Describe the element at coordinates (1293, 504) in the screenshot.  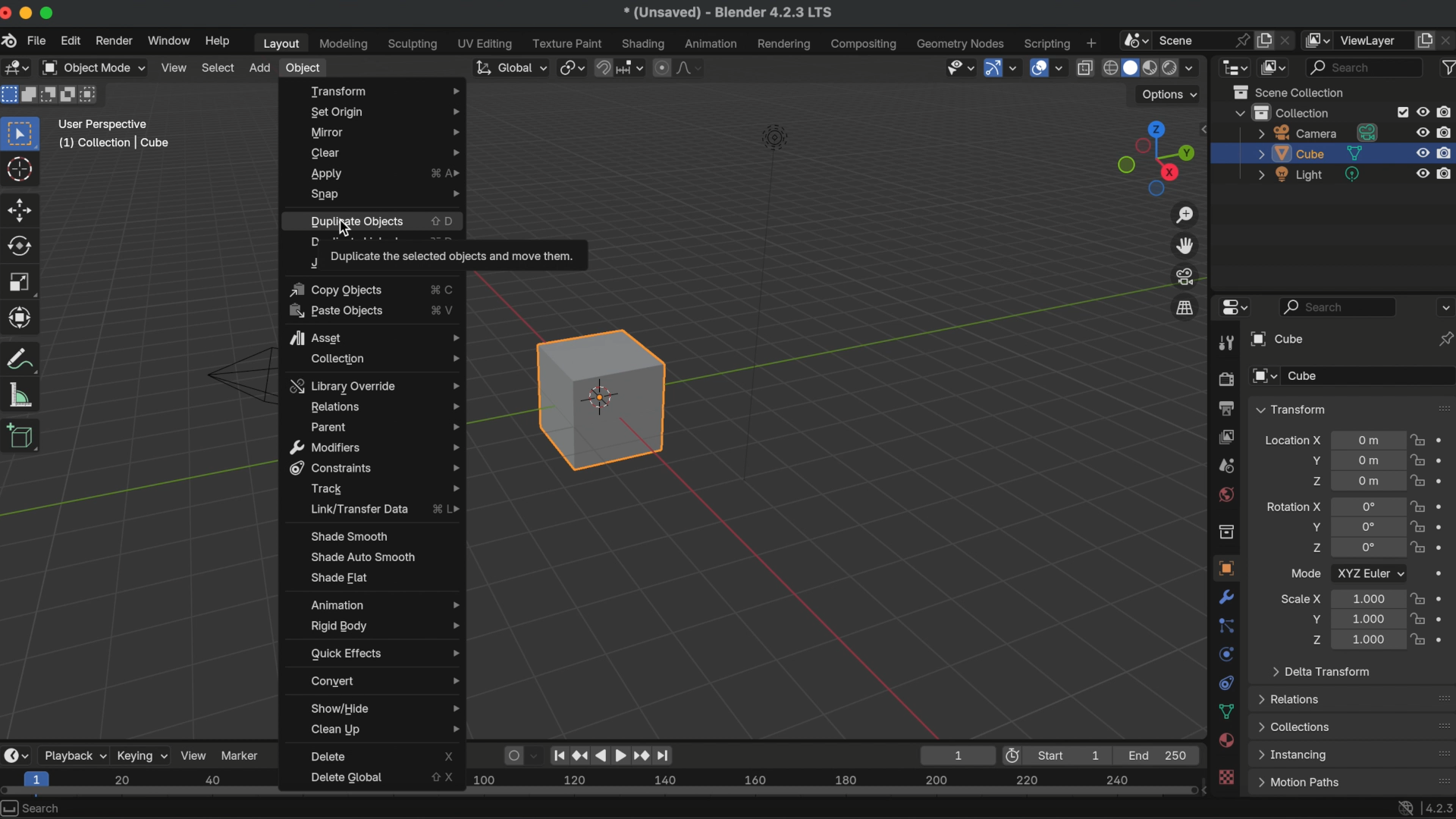
I see `rotation X` at that location.